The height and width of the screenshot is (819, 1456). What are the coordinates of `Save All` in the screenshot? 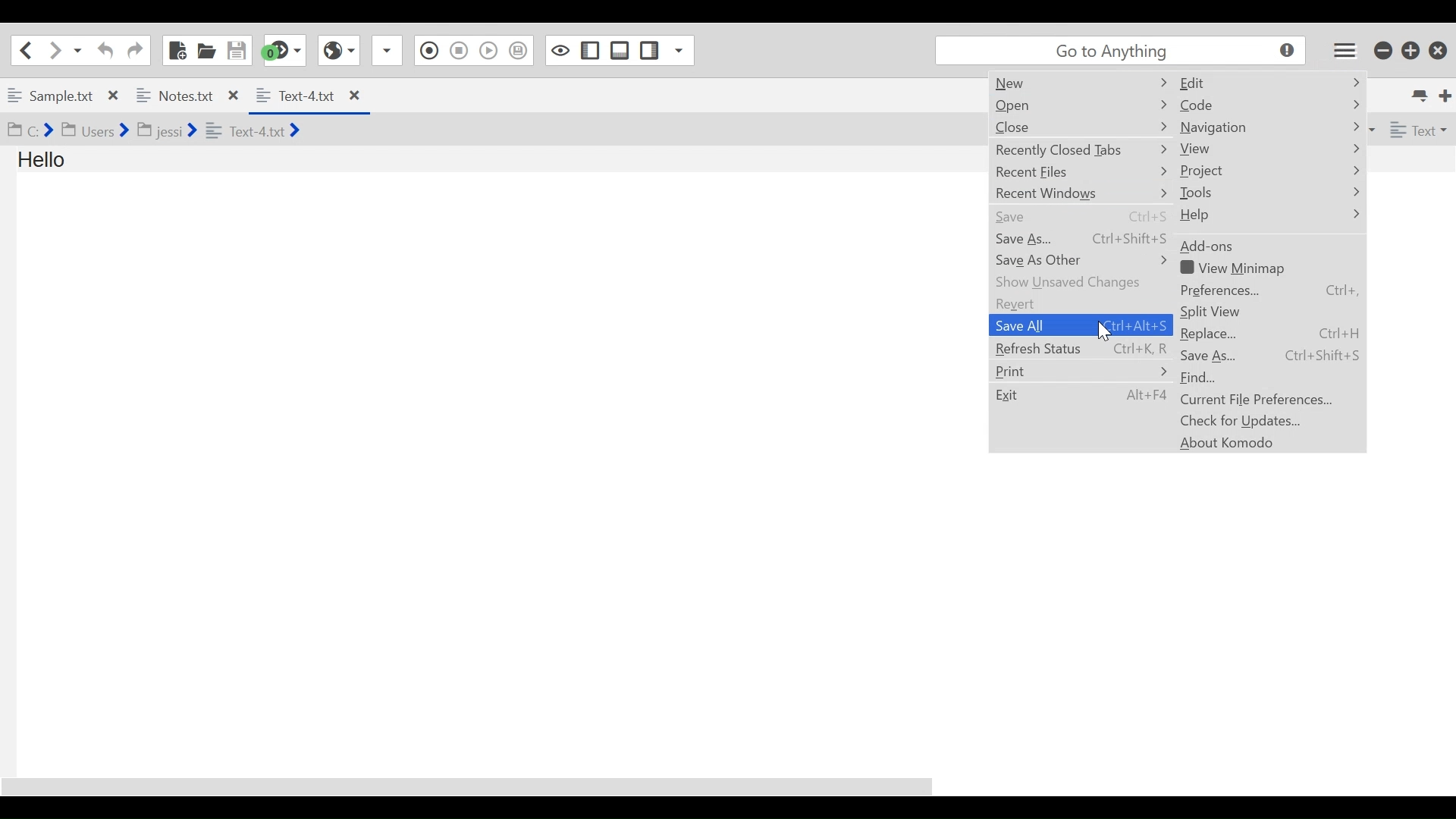 It's located at (1080, 324).